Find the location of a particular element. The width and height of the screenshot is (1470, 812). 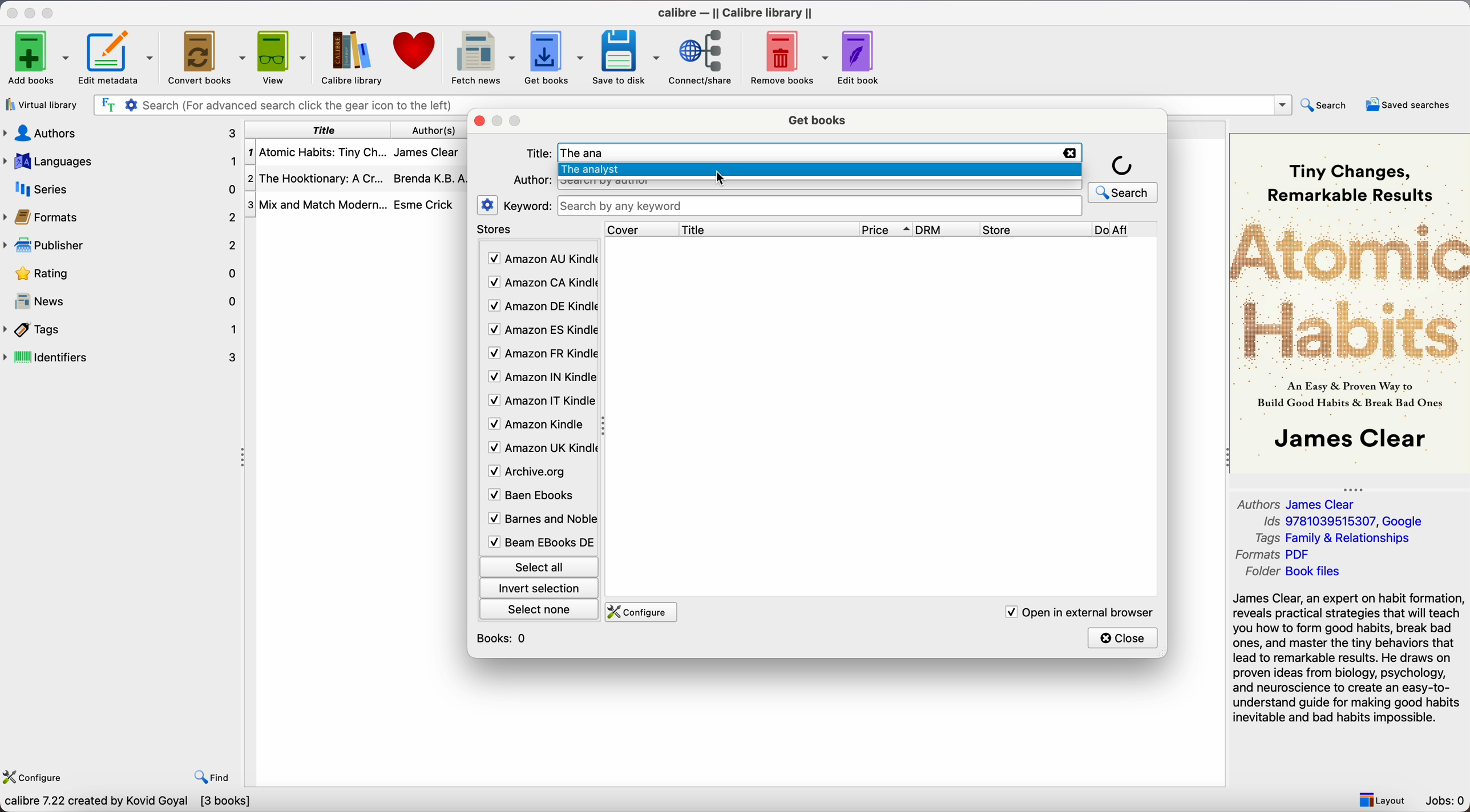

convert books is located at coordinates (205, 56).